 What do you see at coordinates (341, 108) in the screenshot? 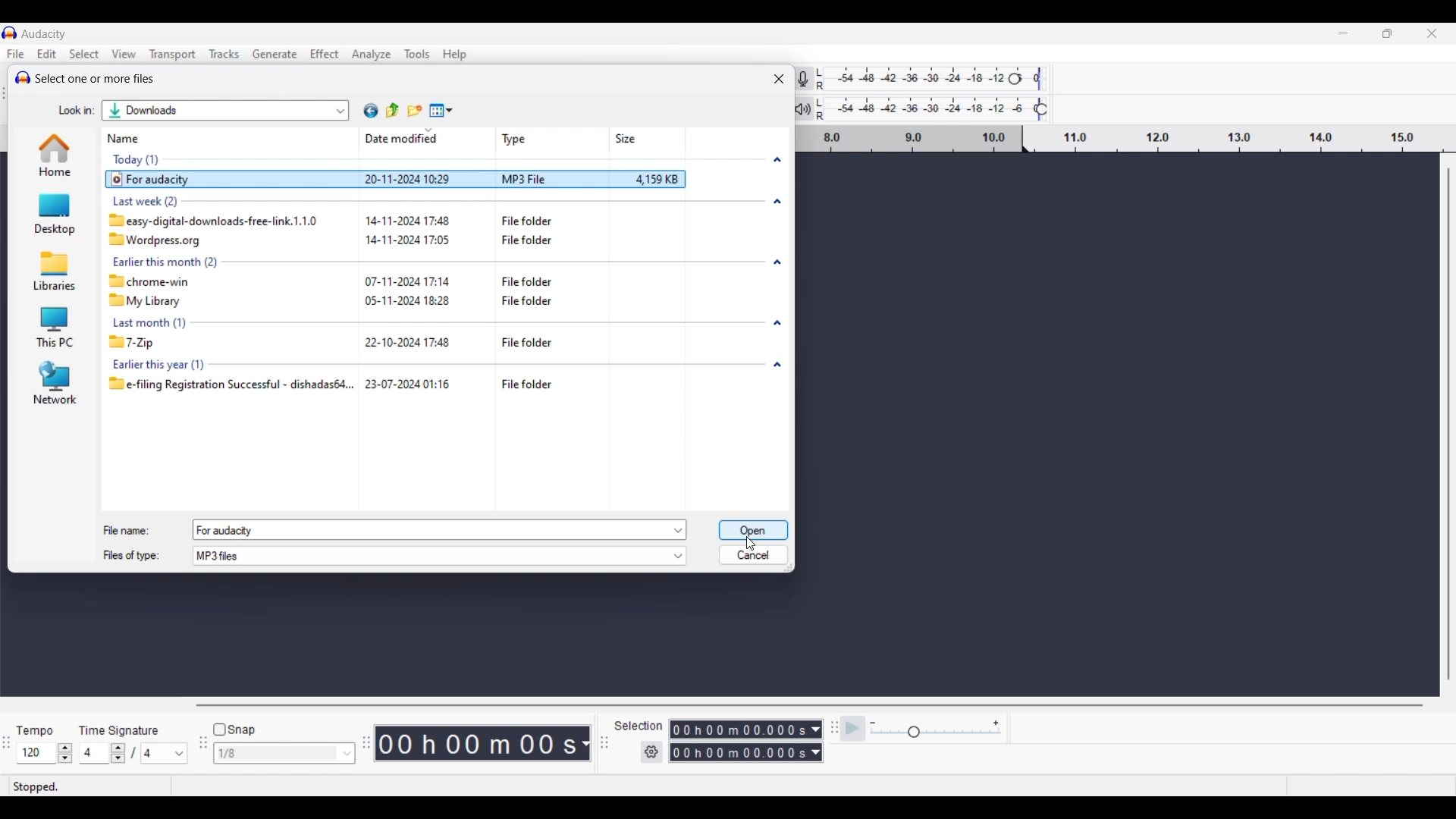
I see `List folder options` at bounding box center [341, 108].